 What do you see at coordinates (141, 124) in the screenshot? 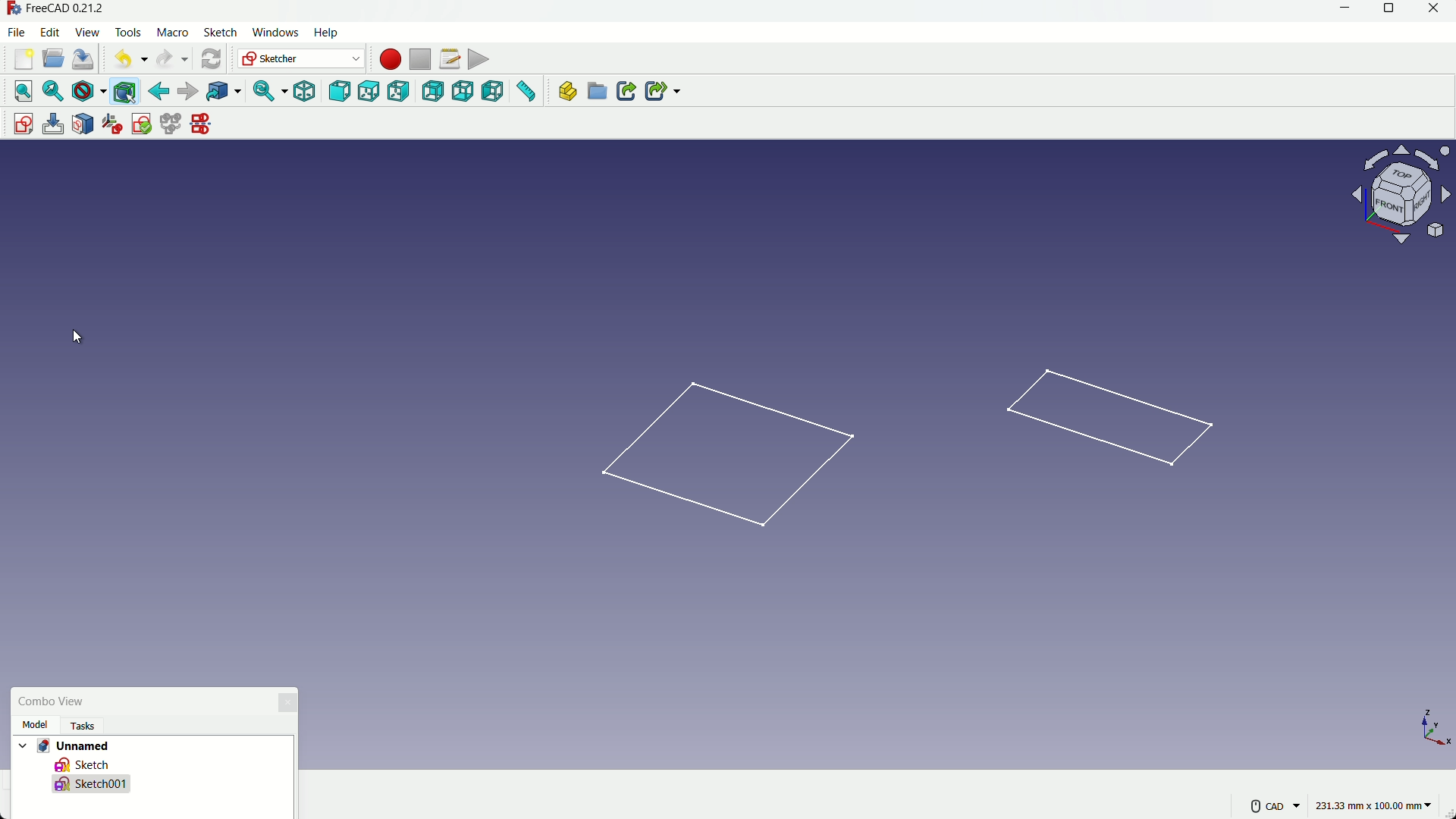
I see `validate sketches` at bounding box center [141, 124].